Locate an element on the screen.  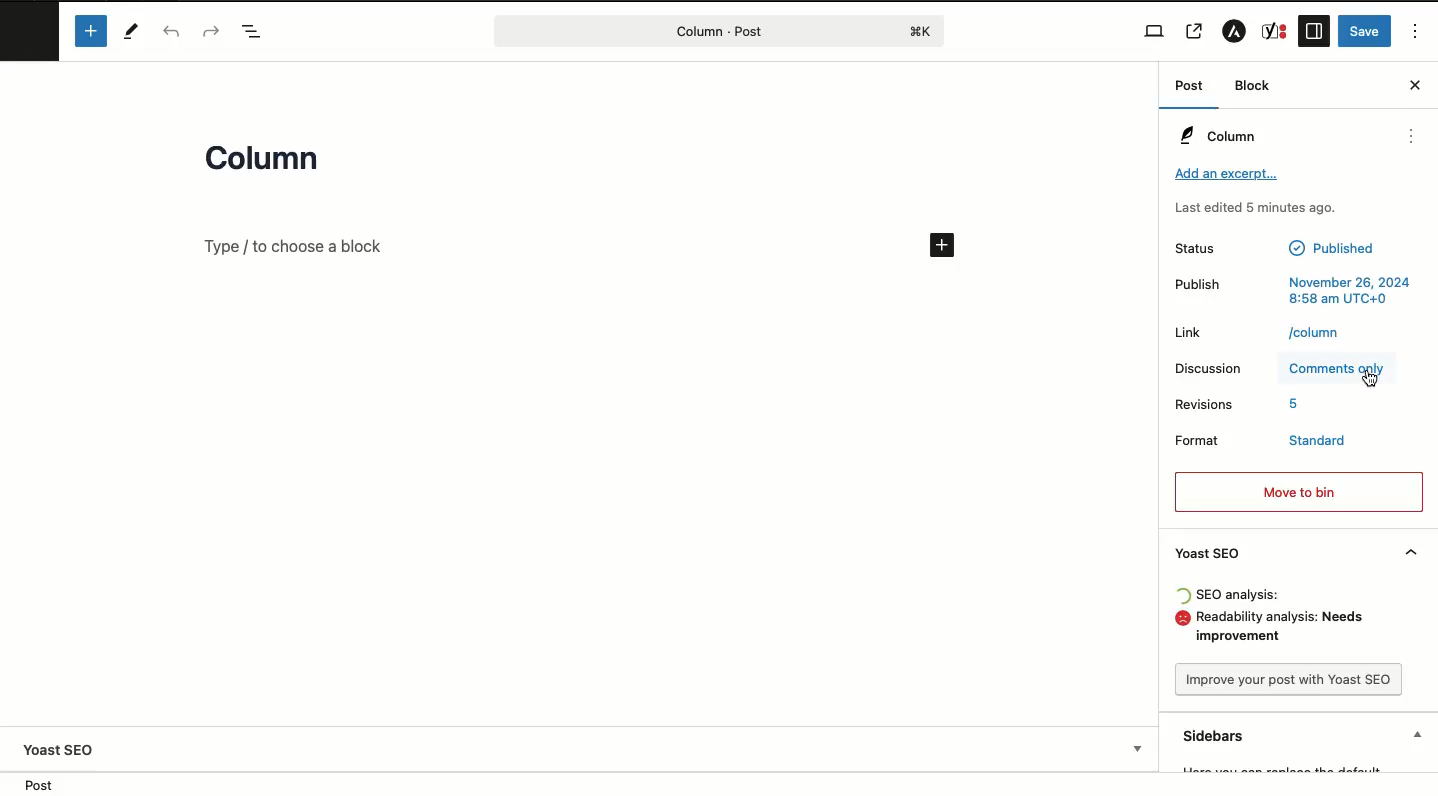
Save is located at coordinates (1365, 31).